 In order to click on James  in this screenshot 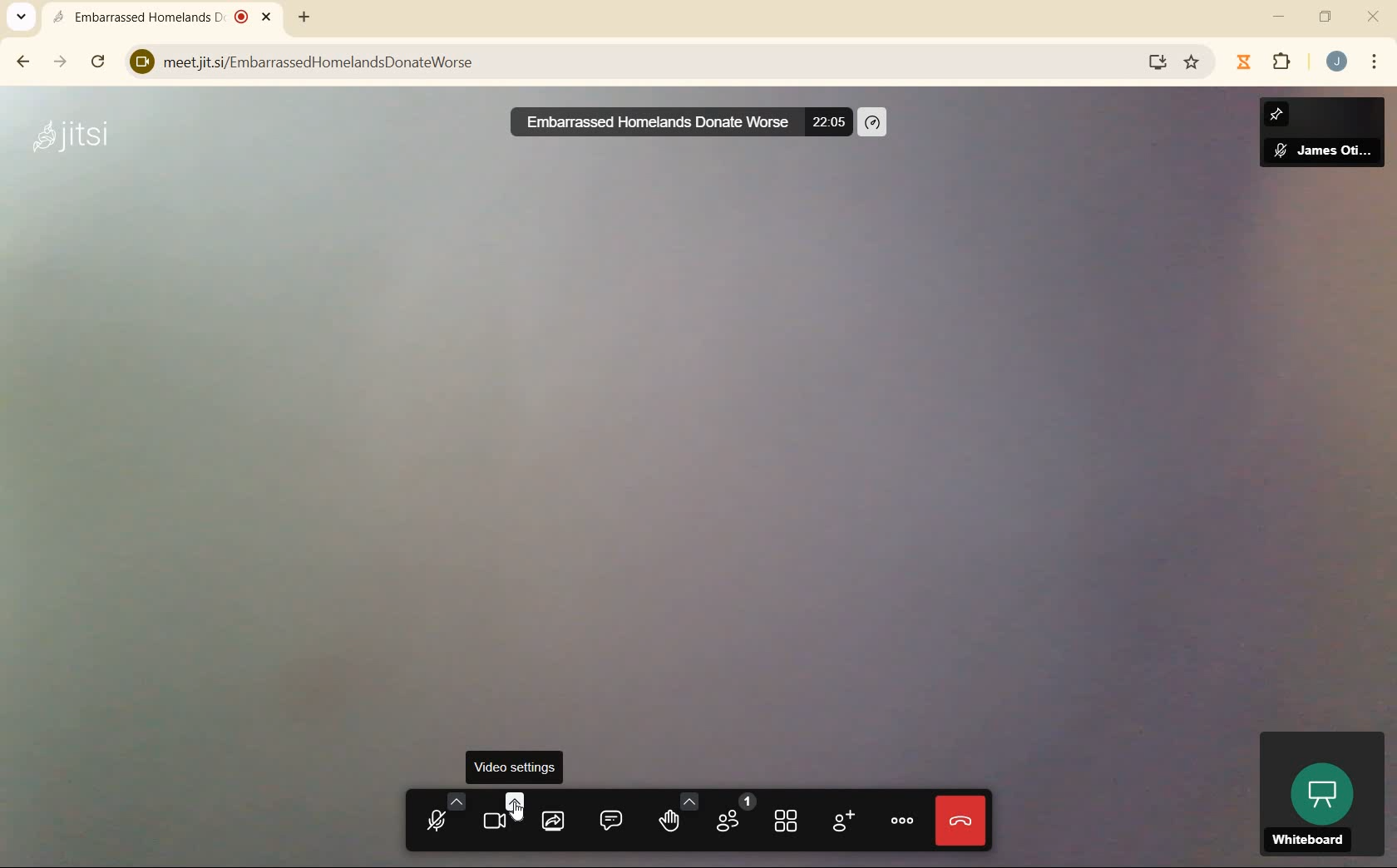, I will do `click(1322, 138)`.